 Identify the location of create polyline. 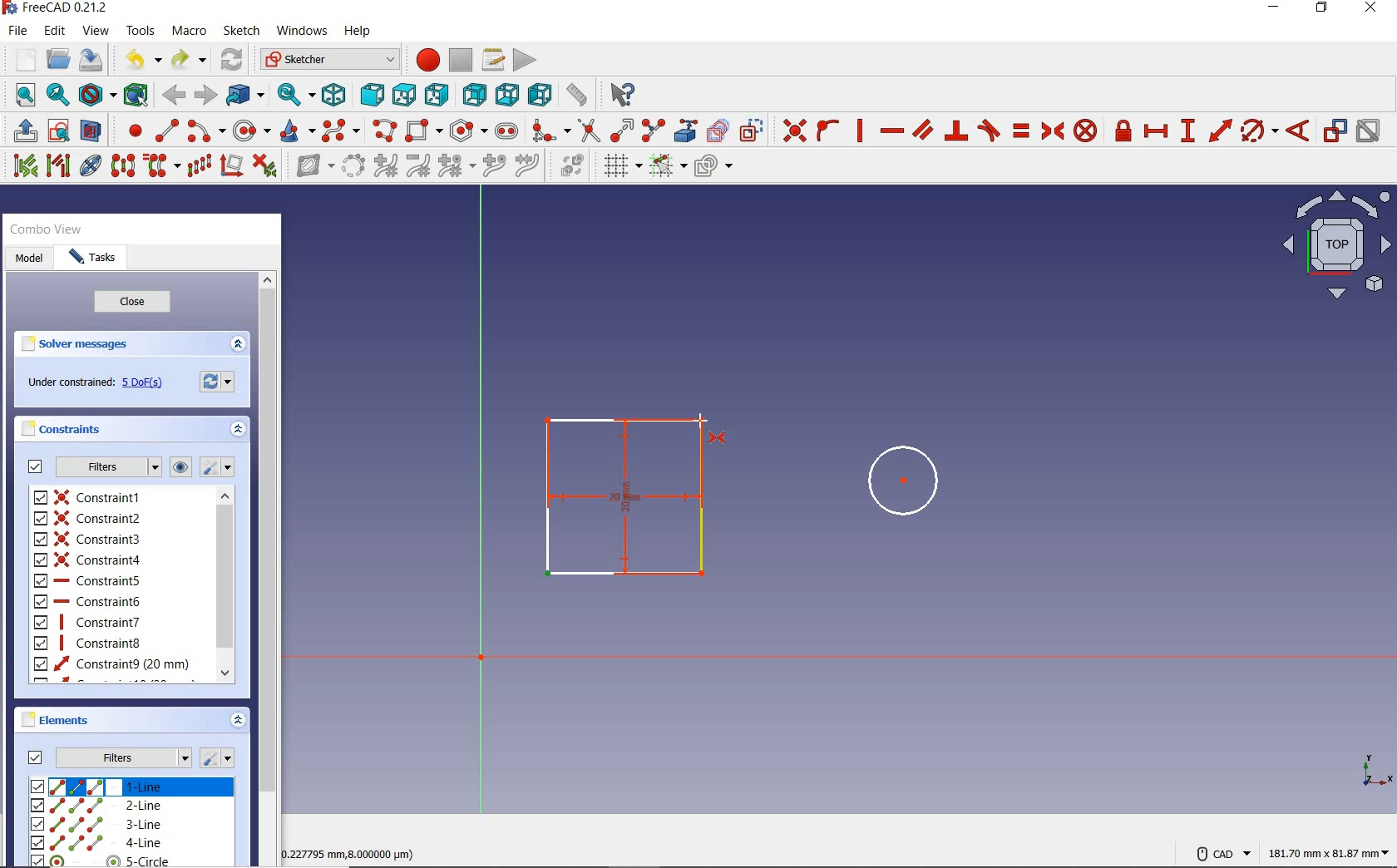
(385, 131).